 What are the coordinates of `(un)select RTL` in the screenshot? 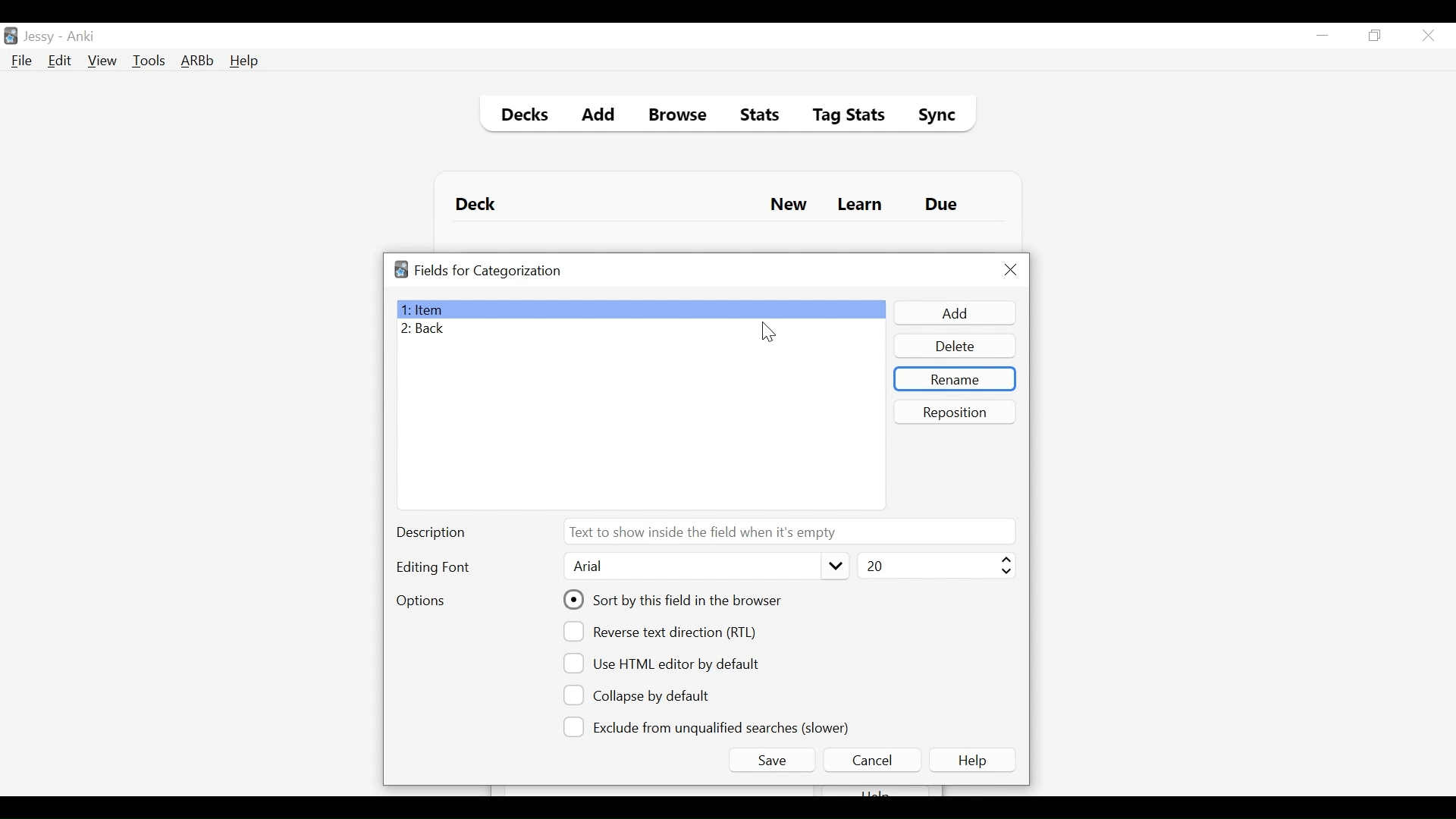 It's located at (667, 632).